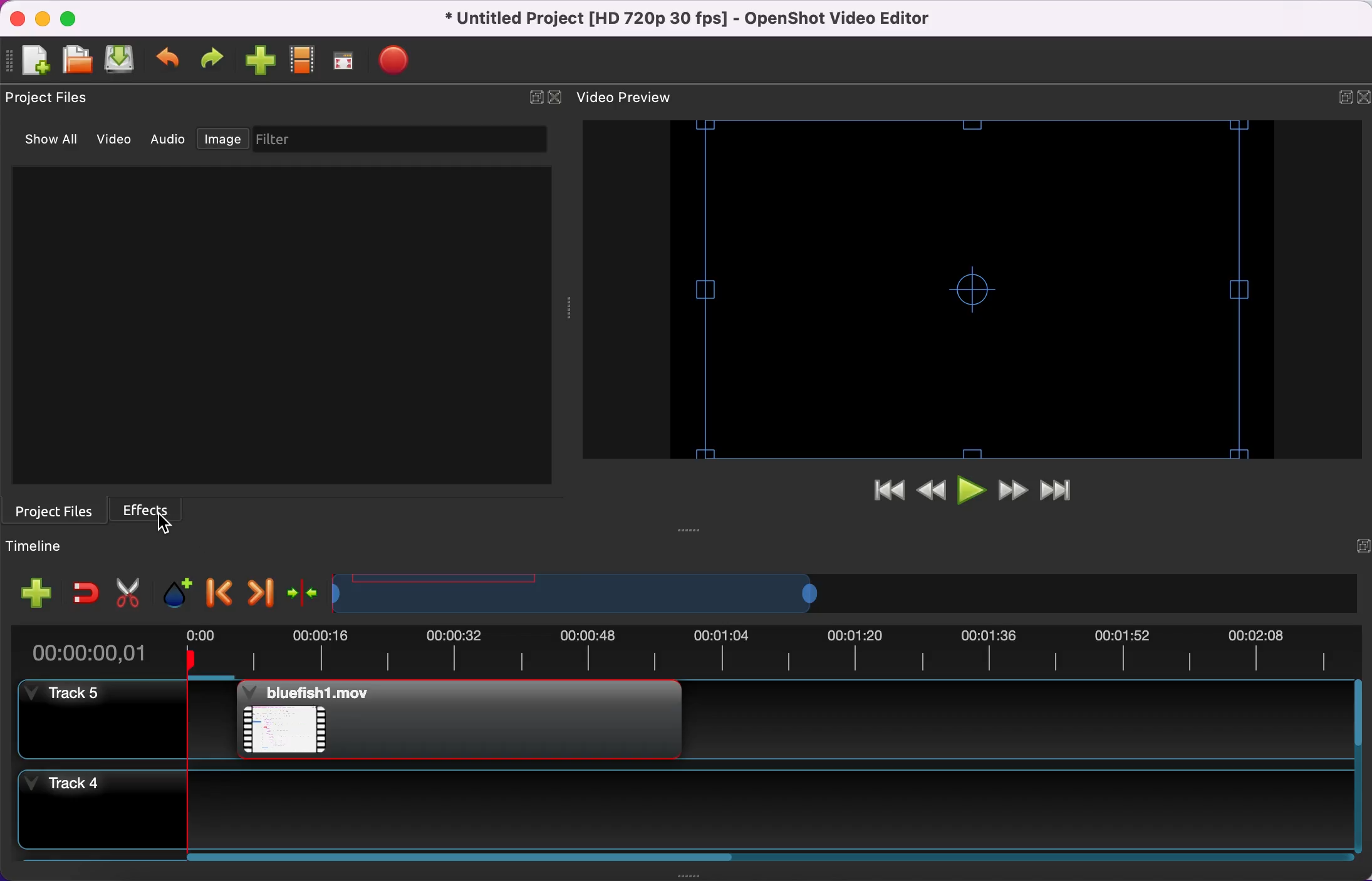 The height and width of the screenshot is (881, 1372). Describe the element at coordinates (556, 100) in the screenshot. I see `close` at that location.